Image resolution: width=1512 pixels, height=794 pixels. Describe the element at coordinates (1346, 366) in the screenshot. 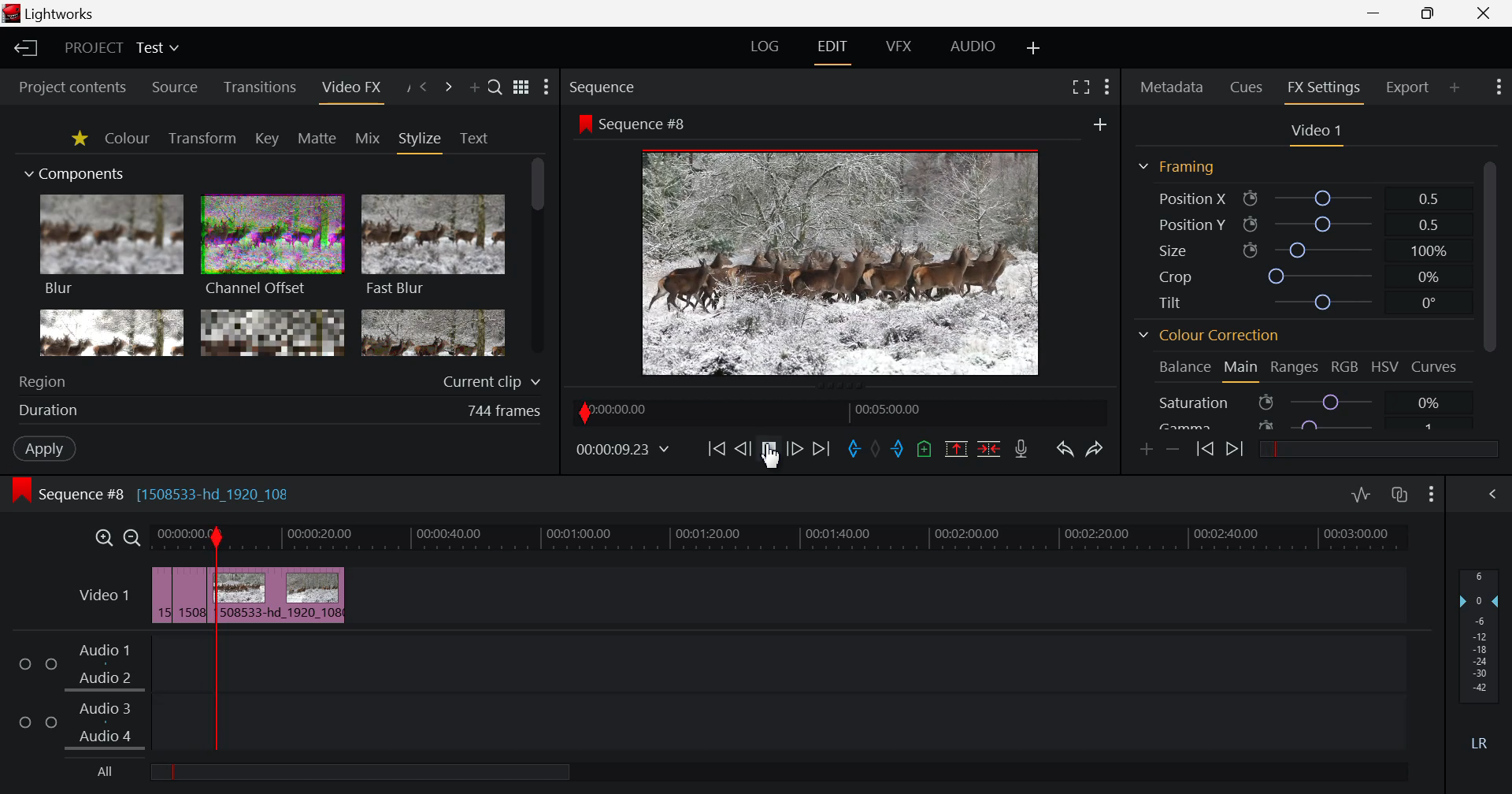

I see `RGB` at that location.